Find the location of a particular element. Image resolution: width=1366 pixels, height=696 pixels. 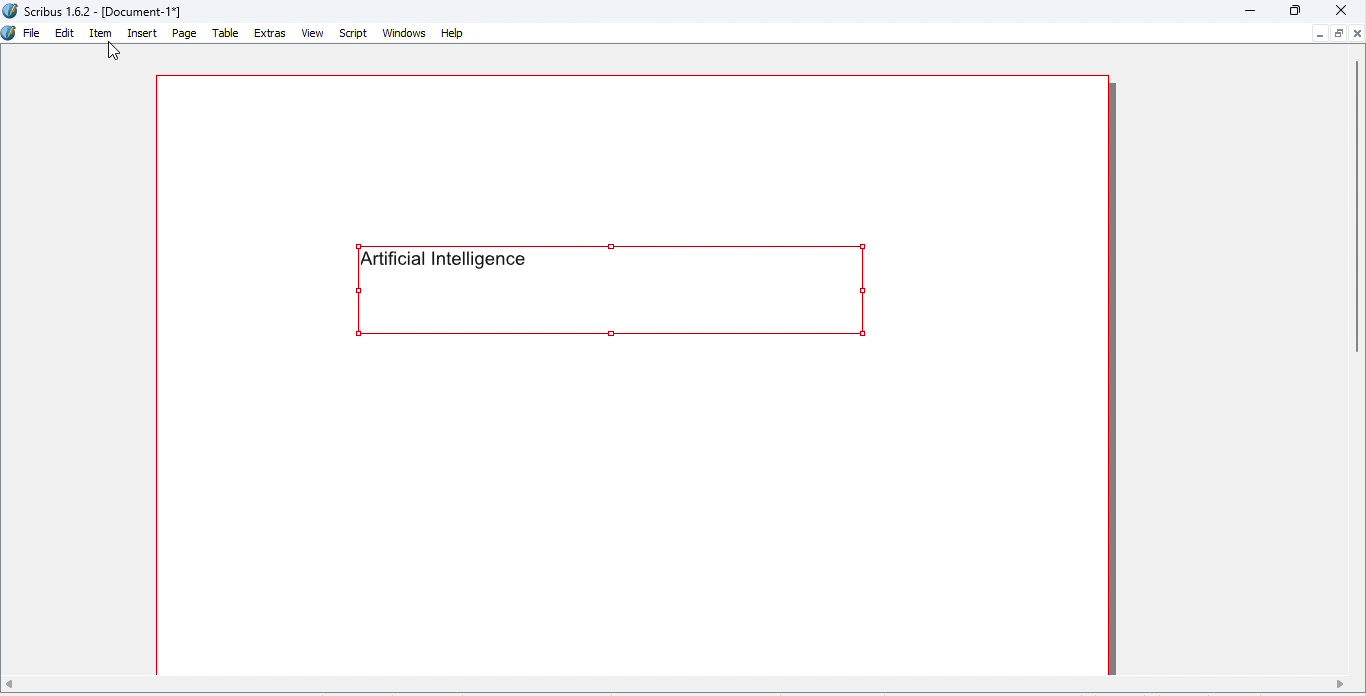

File is located at coordinates (31, 34).